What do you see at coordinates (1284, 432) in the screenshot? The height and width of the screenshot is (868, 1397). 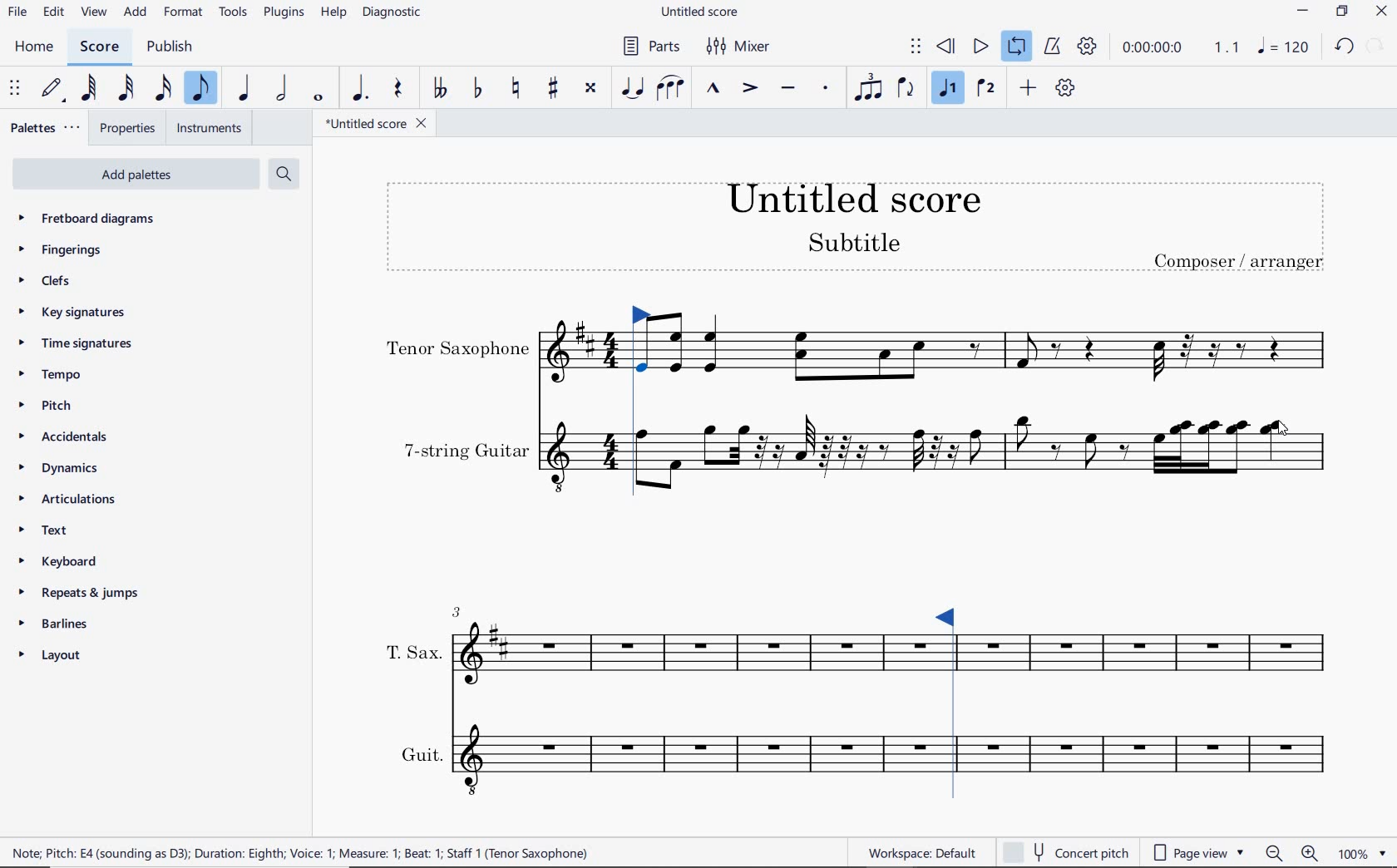 I see `cursor` at bounding box center [1284, 432].